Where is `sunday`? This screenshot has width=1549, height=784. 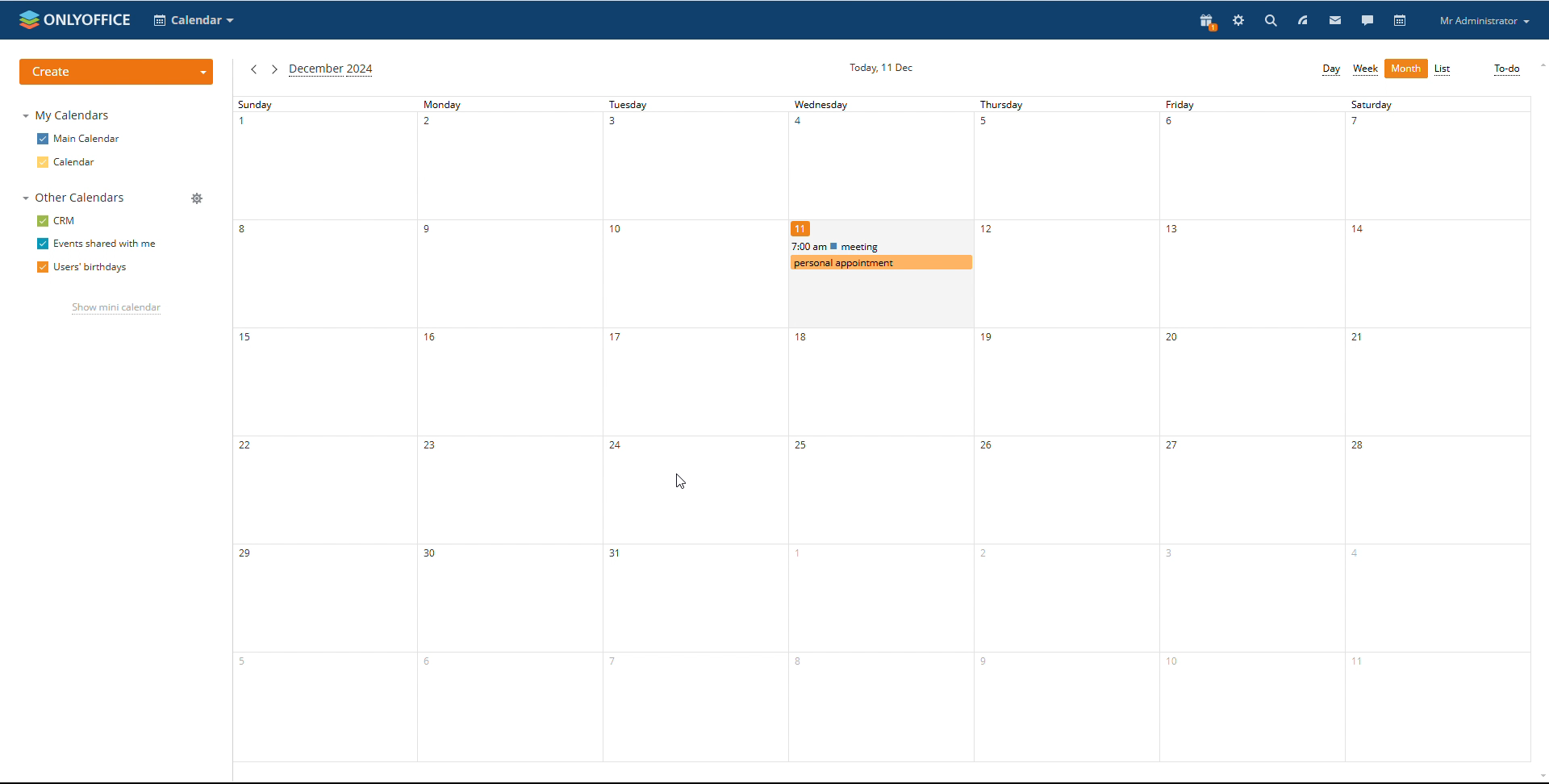 sunday is located at coordinates (325, 429).